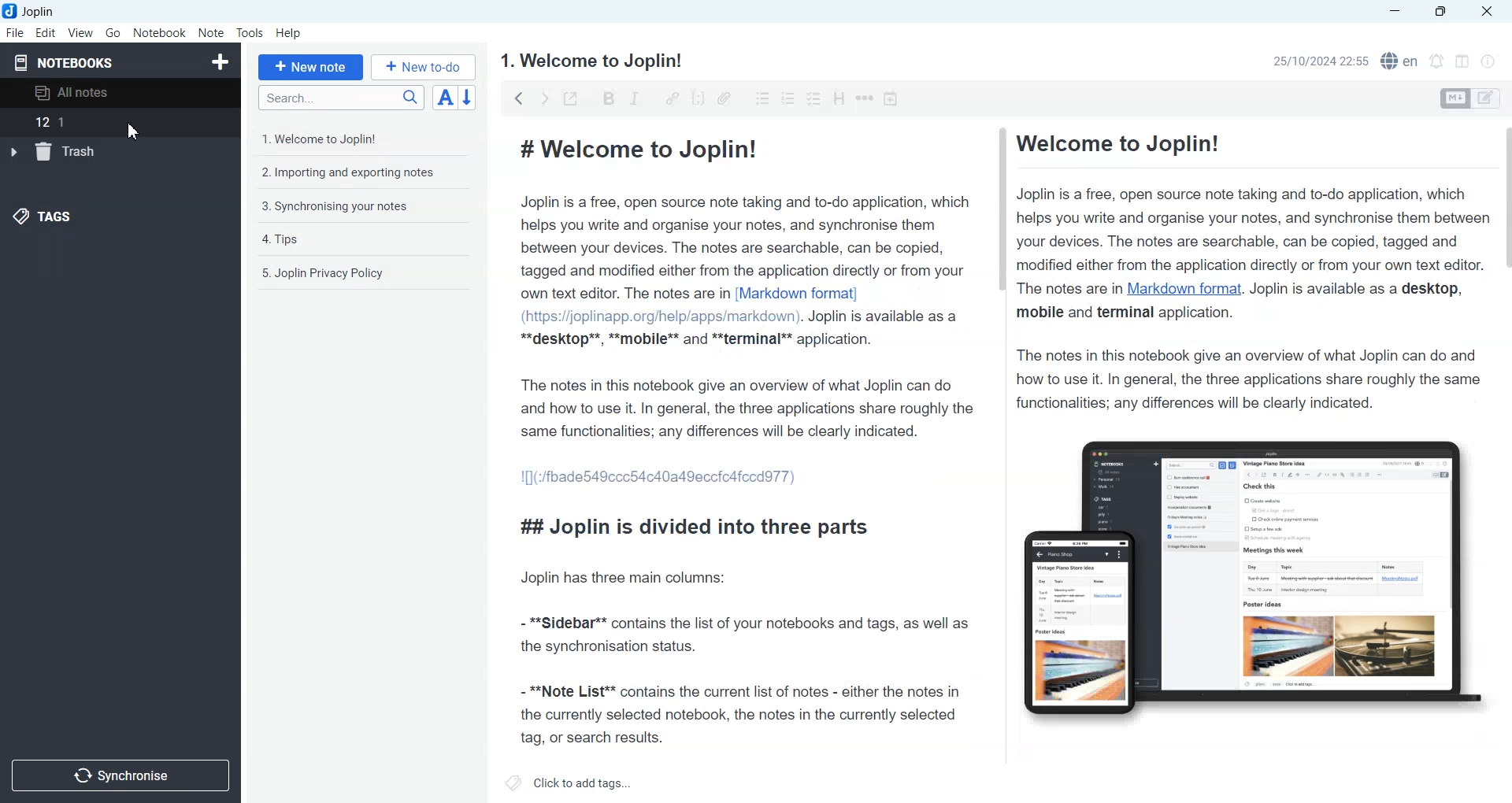  What do you see at coordinates (818, 98) in the screenshot?
I see `Checkbox` at bounding box center [818, 98].